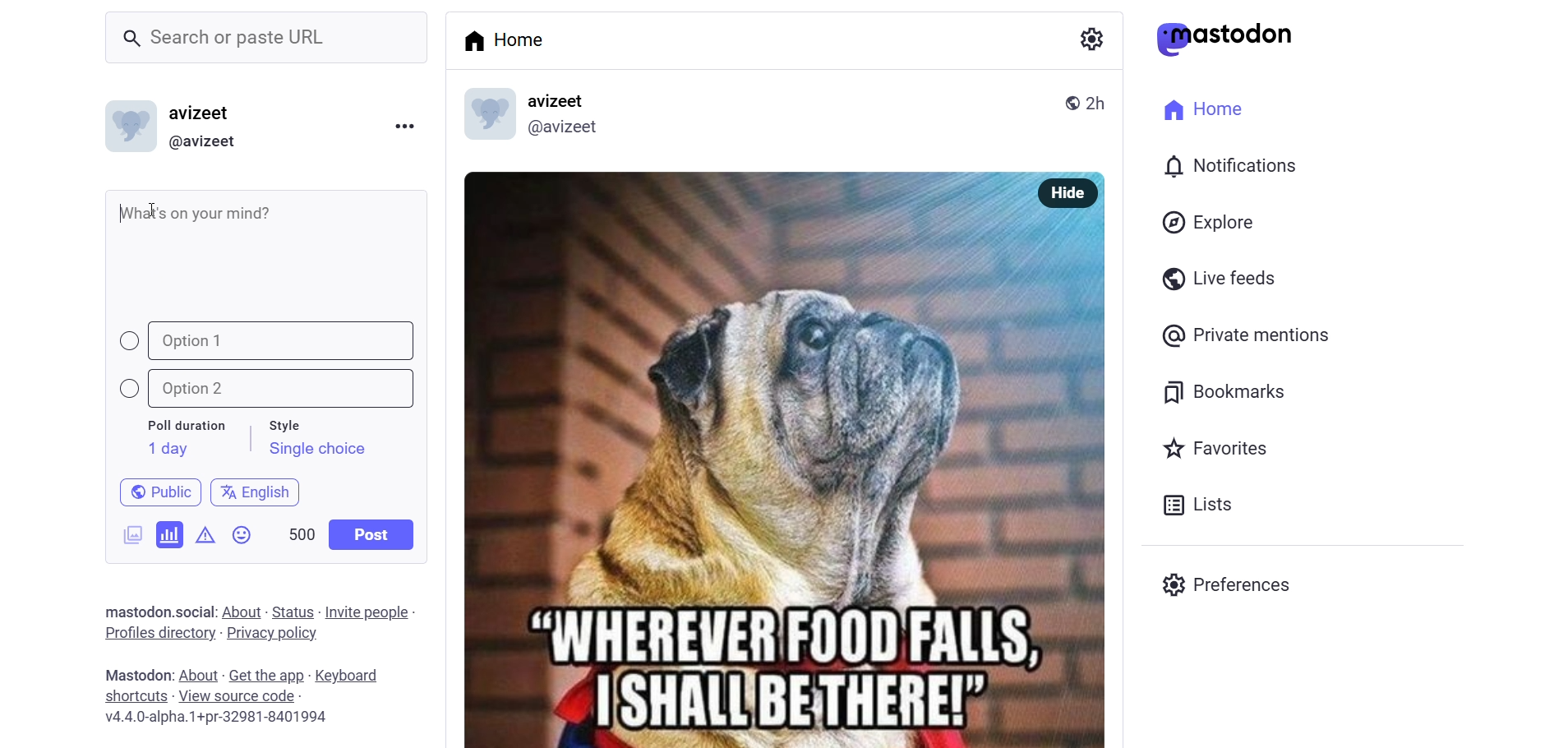 This screenshot has height=748, width=1568. What do you see at coordinates (275, 389) in the screenshot?
I see `option 2` at bounding box center [275, 389].